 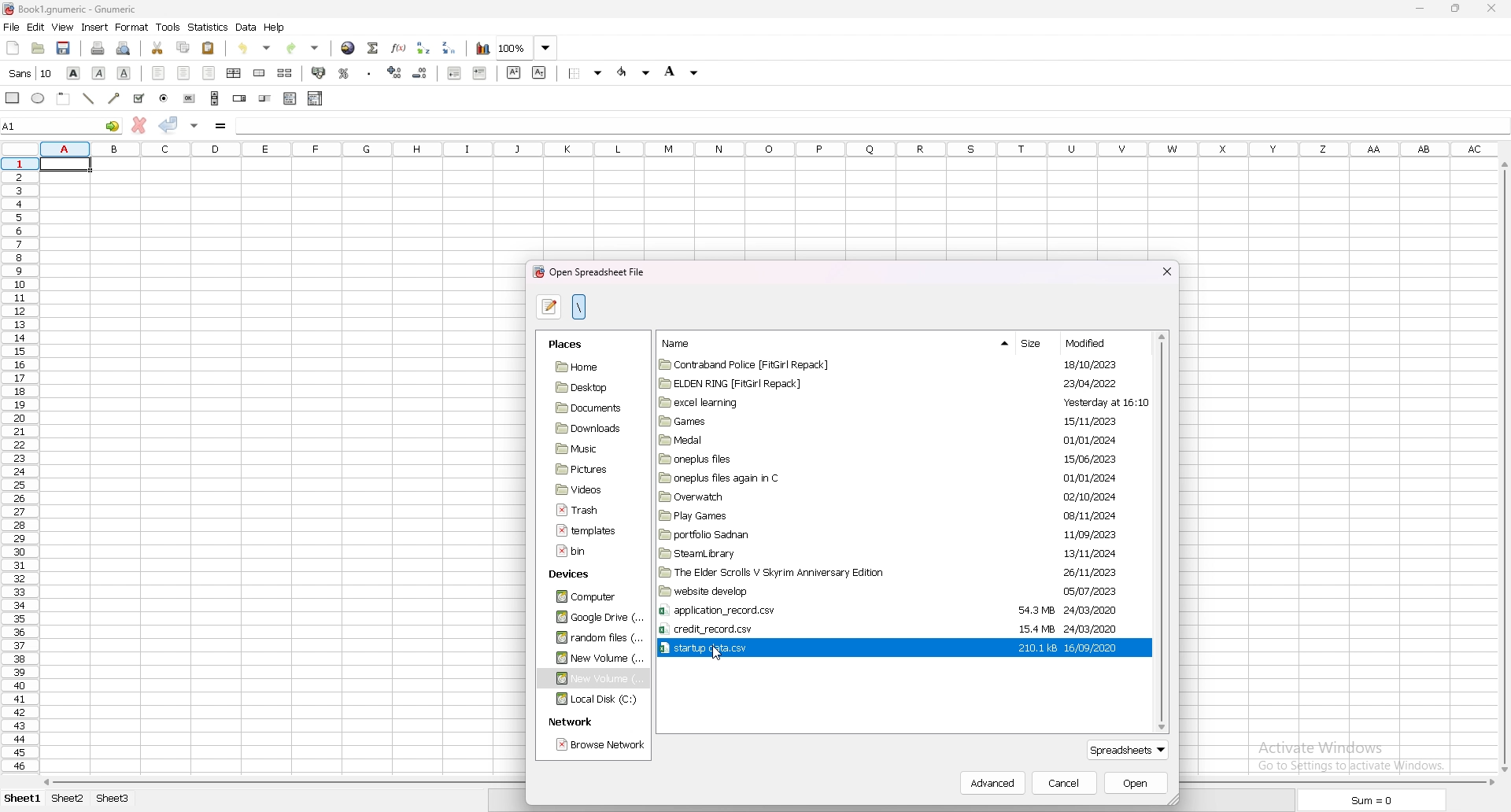 I want to click on selected cell, so click(x=66, y=164).